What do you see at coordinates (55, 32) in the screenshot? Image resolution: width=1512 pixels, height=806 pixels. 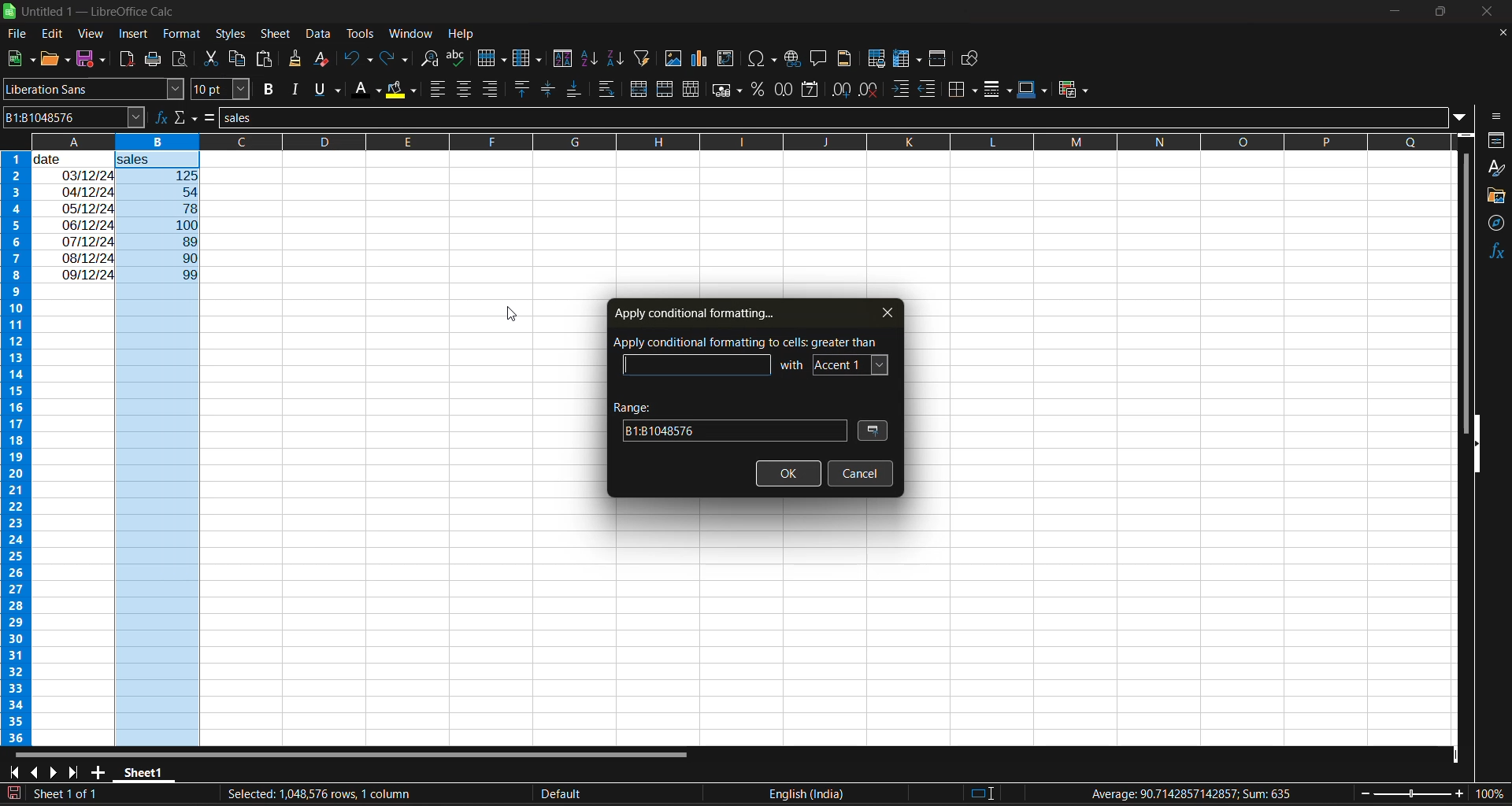 I see `edit` at bounding box center [55, 32].